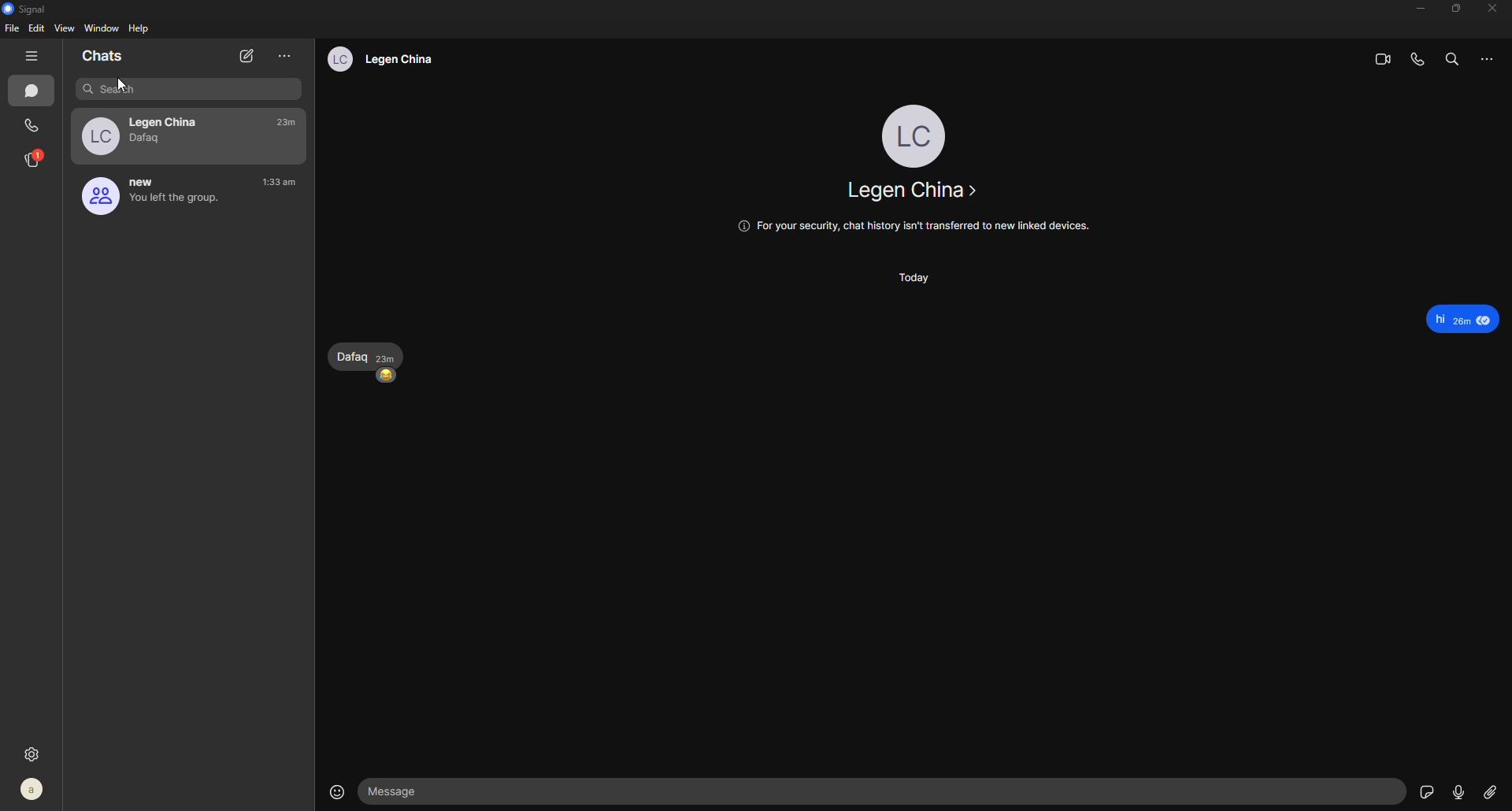 This screenshot has width=1512, height=811. Describe the element at coordinates (168, 120) in the screenshot. I see `legan china ` at that location.